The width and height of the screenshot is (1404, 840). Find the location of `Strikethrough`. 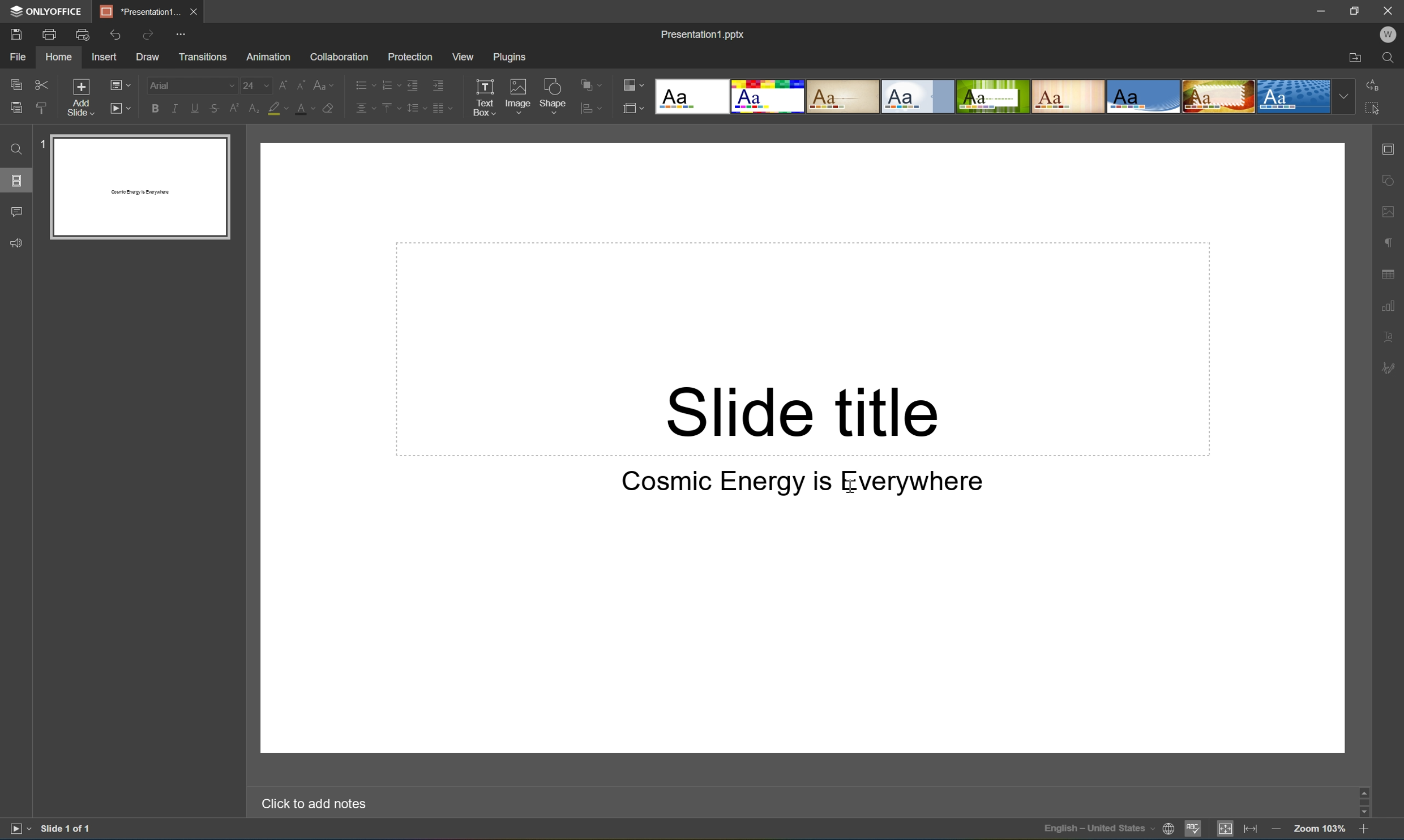

Strikethrough is located at coordinates (215, 107).